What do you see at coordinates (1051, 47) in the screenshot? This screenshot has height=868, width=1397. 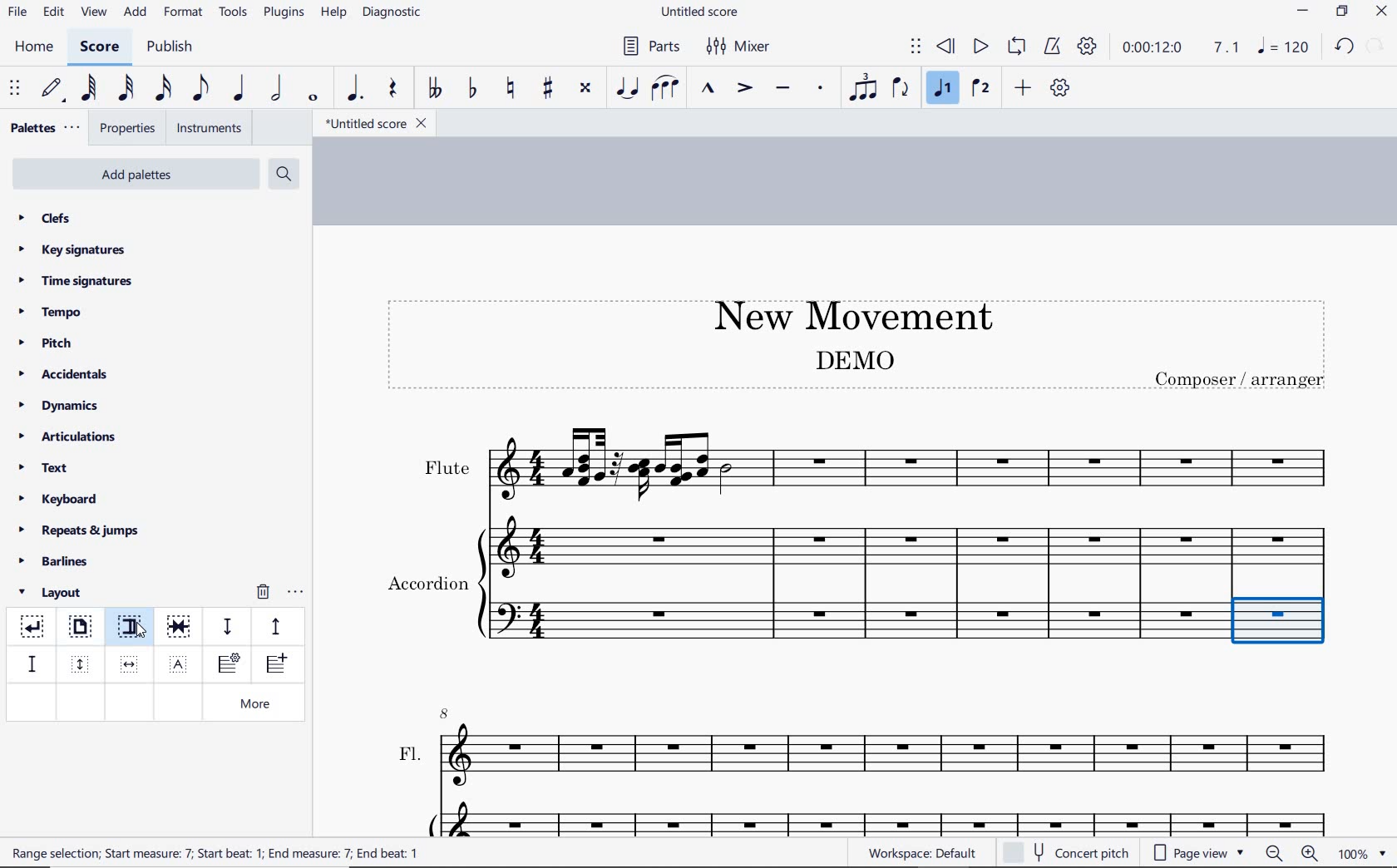 I see `metronome` at bounding box center [1051, 47].